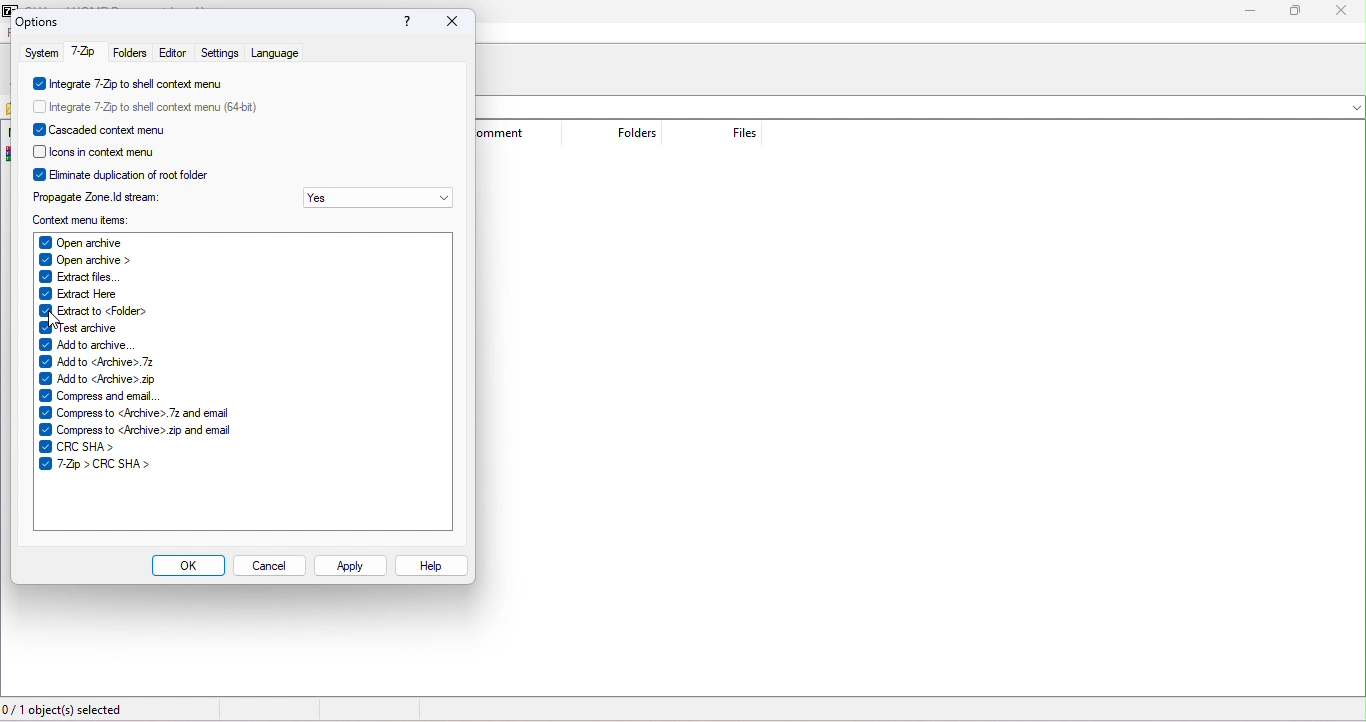  Describe the element at coordinates (188, 566) in the screenshot. I see `ok` at that location.